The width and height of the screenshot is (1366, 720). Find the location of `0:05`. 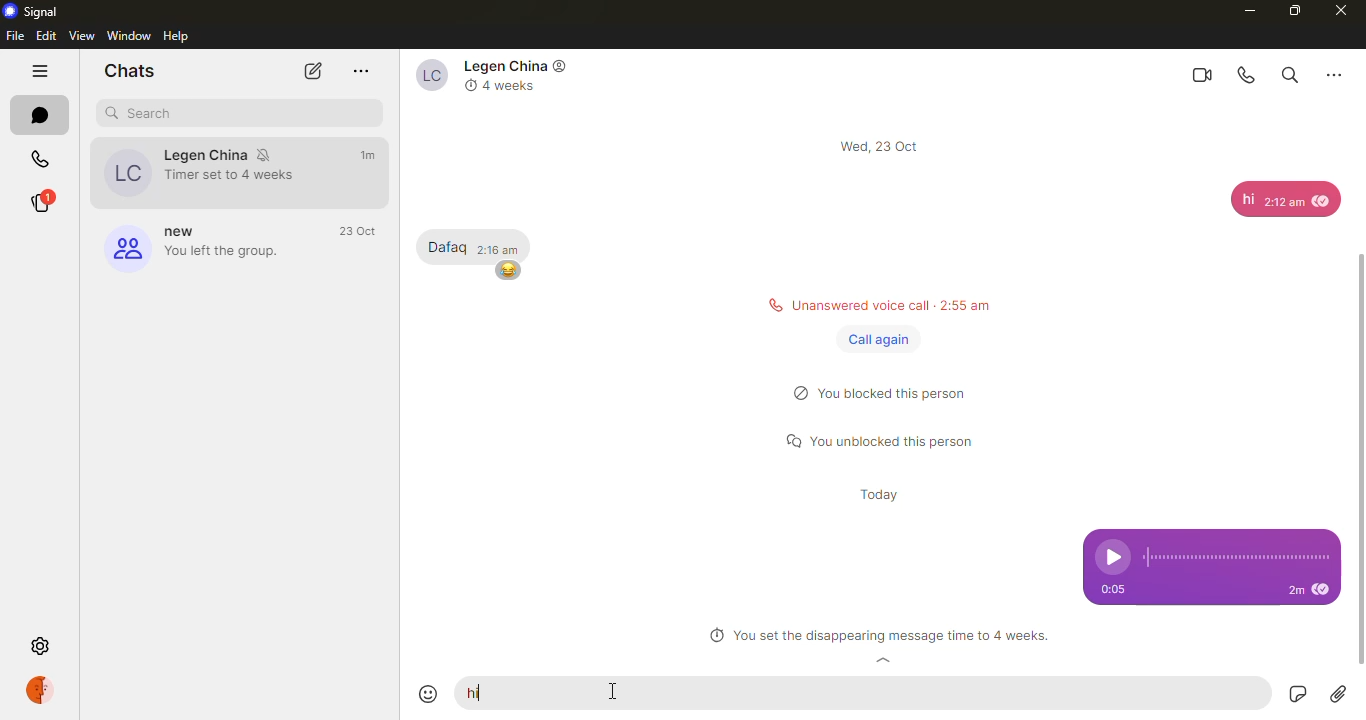

0:05 is located at coordinates (1120, 590).